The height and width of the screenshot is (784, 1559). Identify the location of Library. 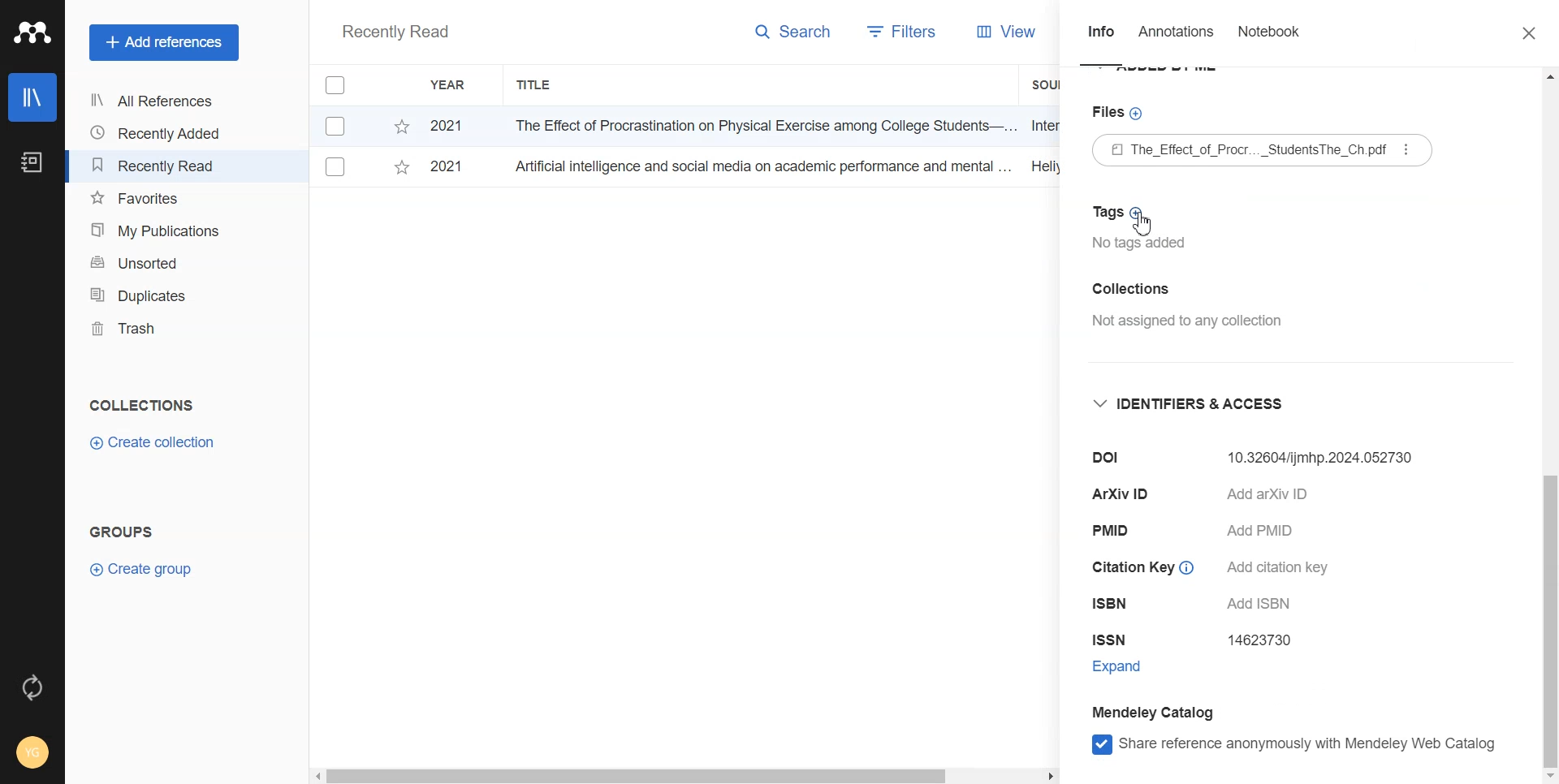
(33, 97).